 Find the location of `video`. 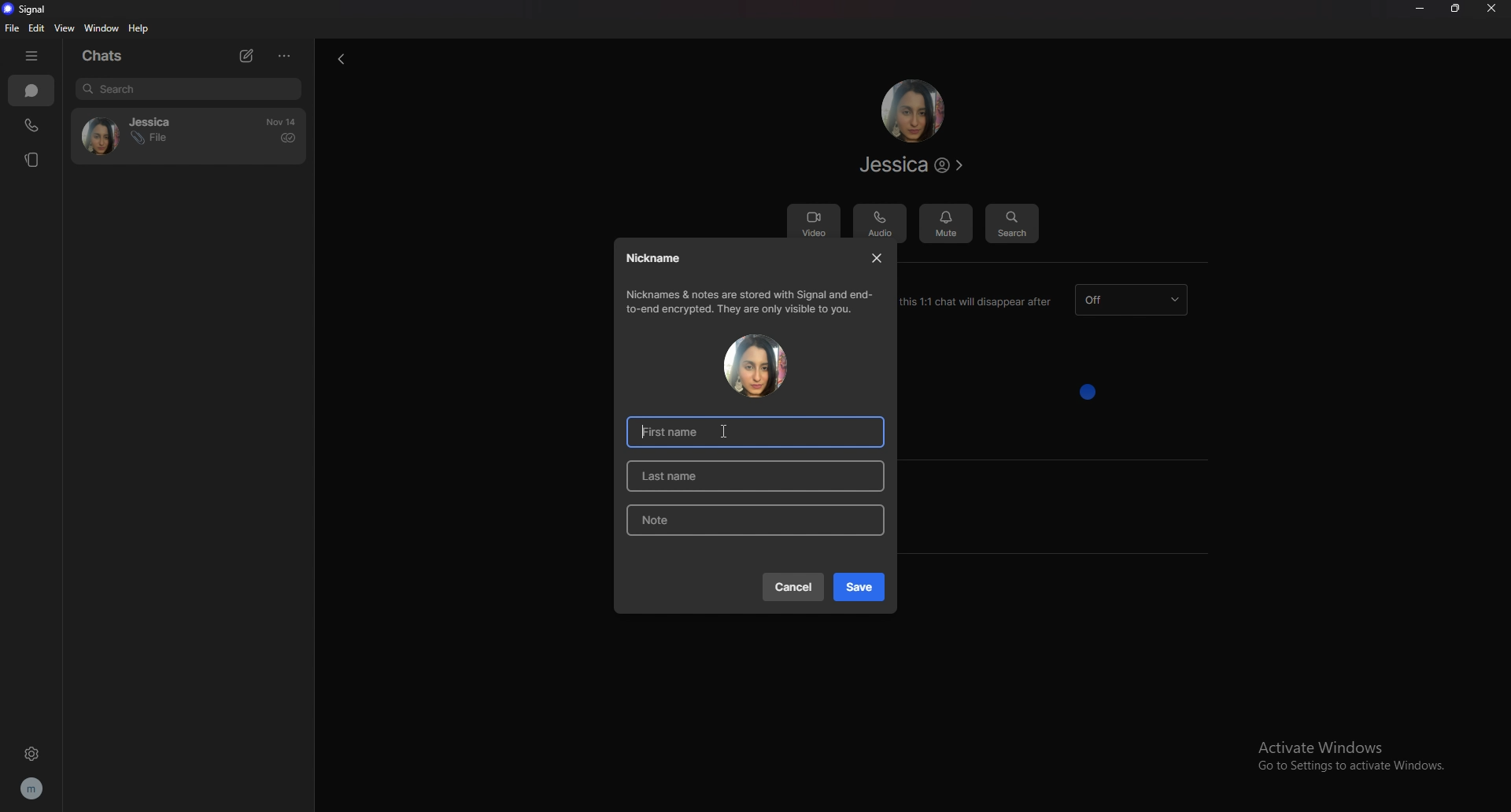

video is located at coordinates (813, 223).